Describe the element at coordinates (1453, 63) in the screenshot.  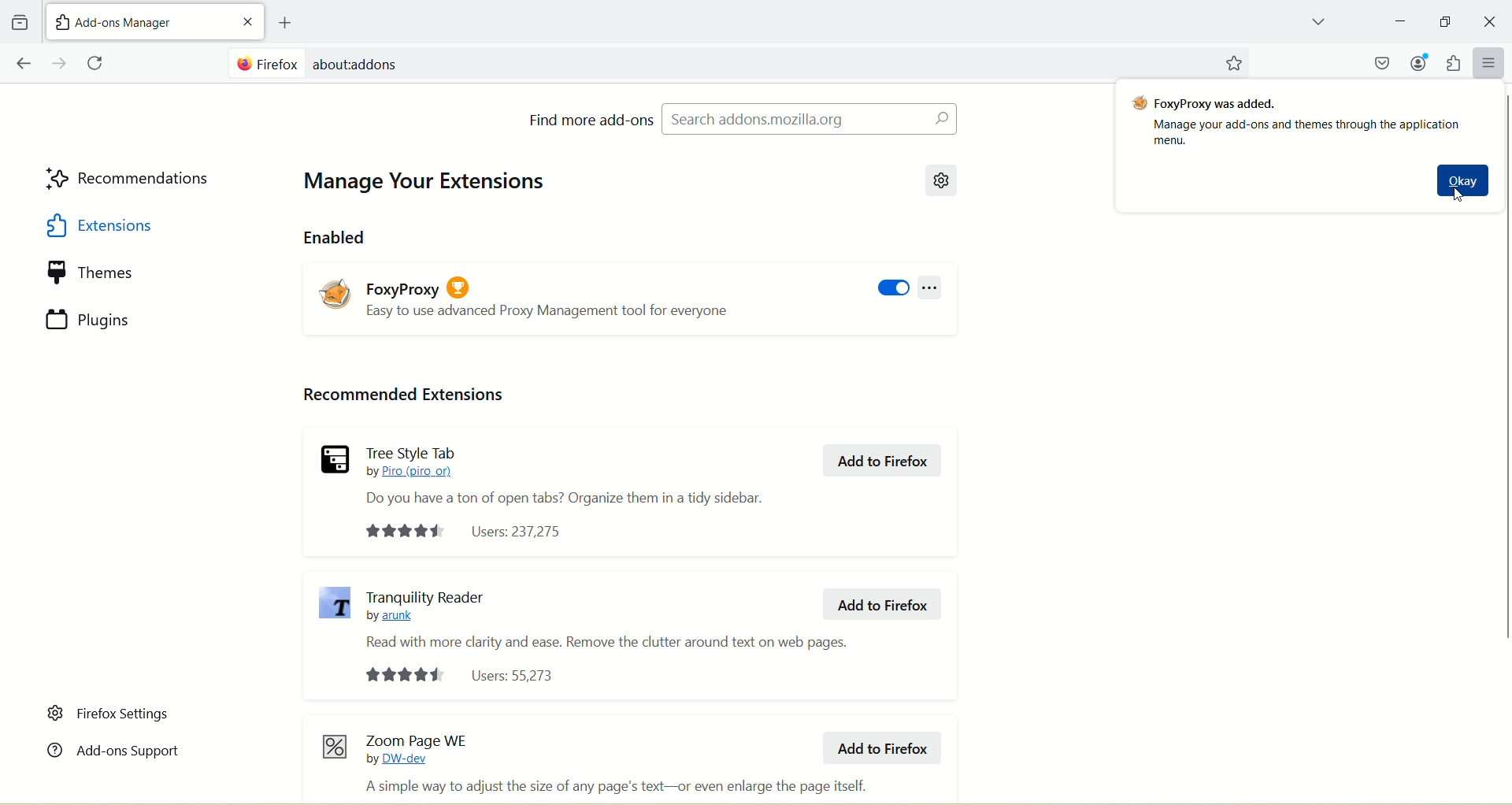
I see `Widget` at that location.